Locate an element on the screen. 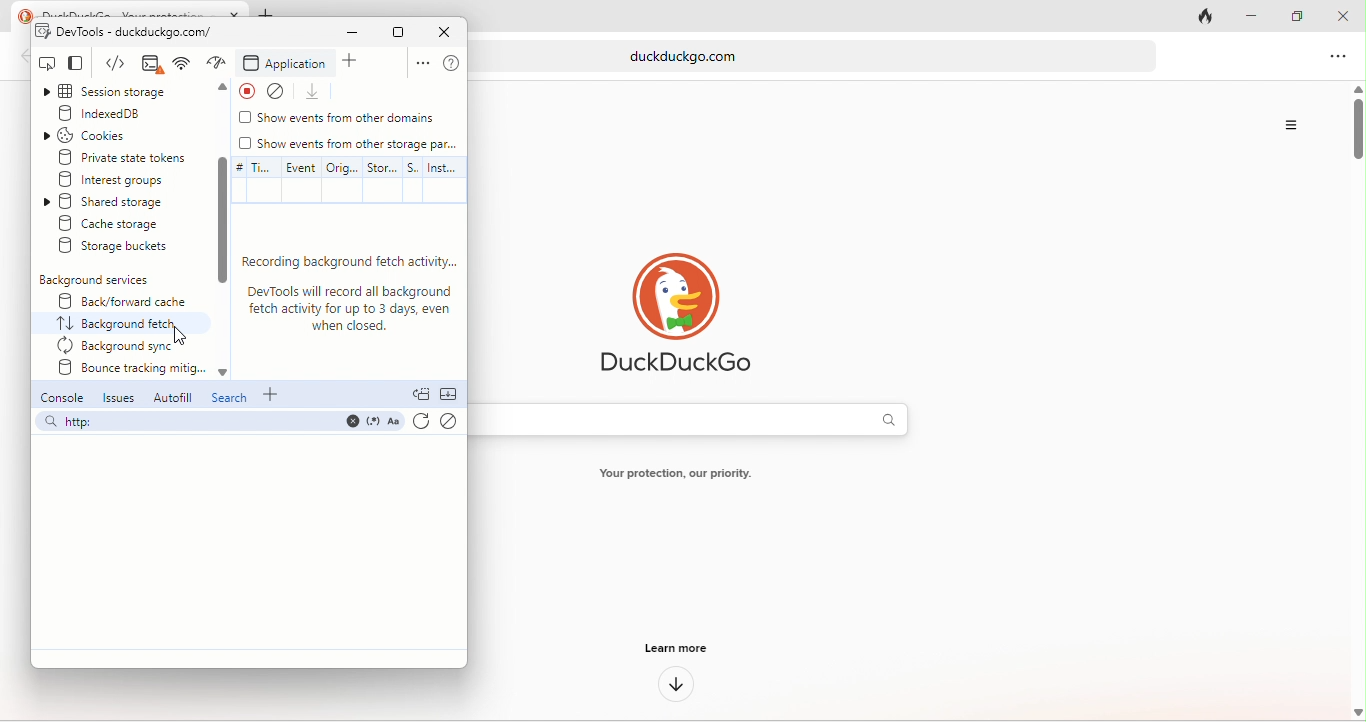 The image size is (1366, 722). shared storage is located at coordinates (124, 202).